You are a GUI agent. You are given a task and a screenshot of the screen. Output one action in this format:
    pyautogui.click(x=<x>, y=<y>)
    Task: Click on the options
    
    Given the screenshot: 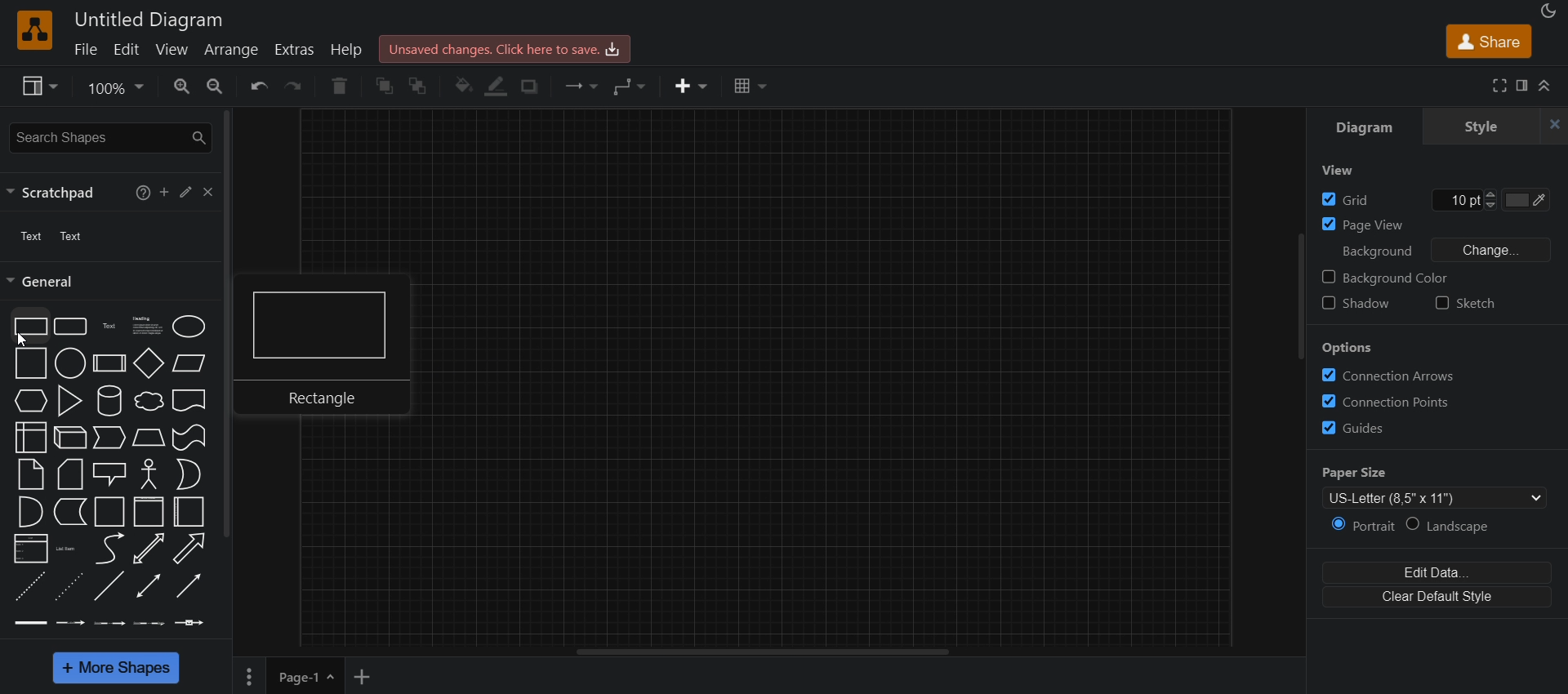 What is the action you would take?
    pyautogui.click(x=248, y=677)
    